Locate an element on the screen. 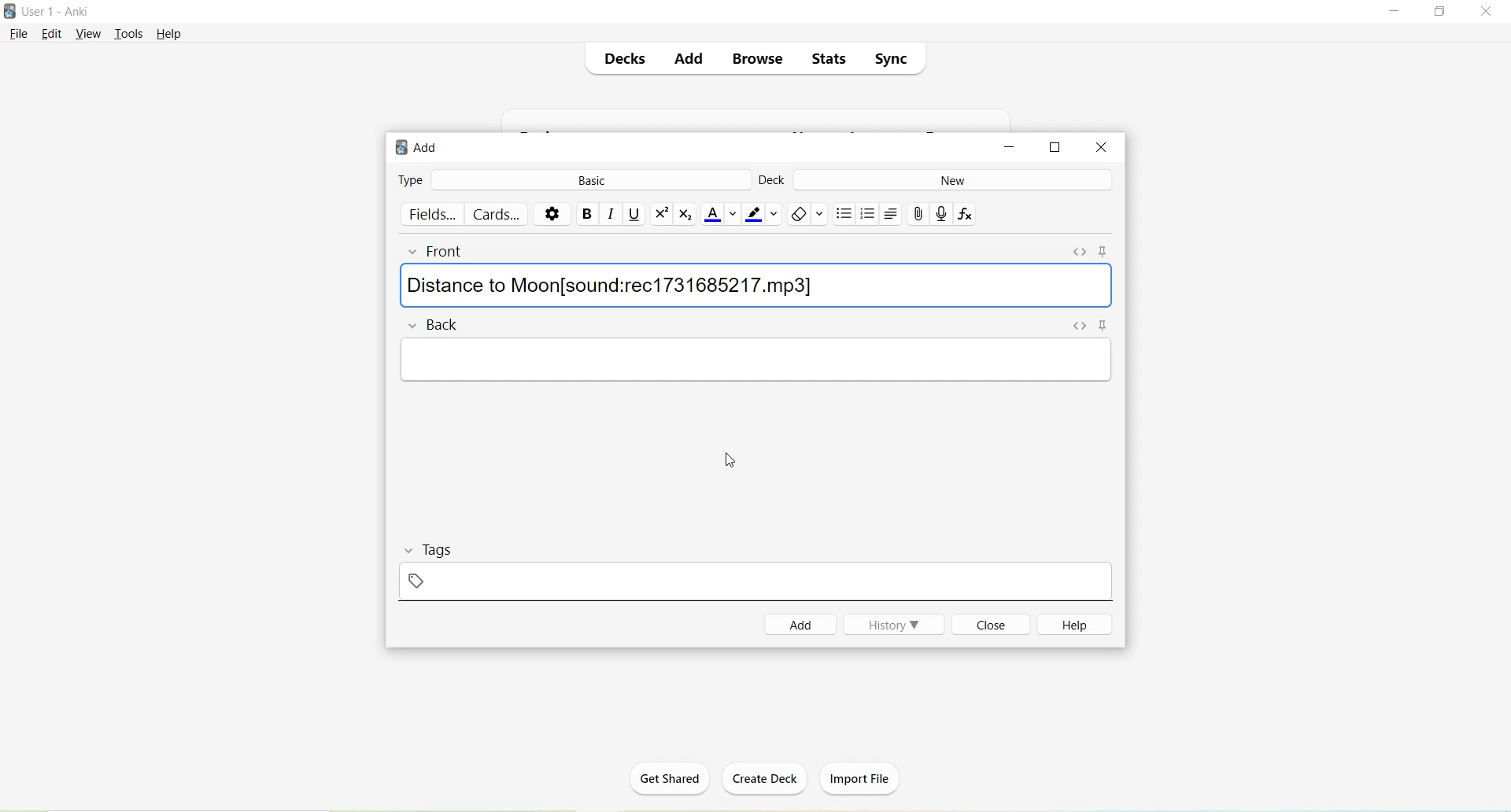 The height and width of the screenshot is (812, 1511). Close is located at coordinates (1486, 12).